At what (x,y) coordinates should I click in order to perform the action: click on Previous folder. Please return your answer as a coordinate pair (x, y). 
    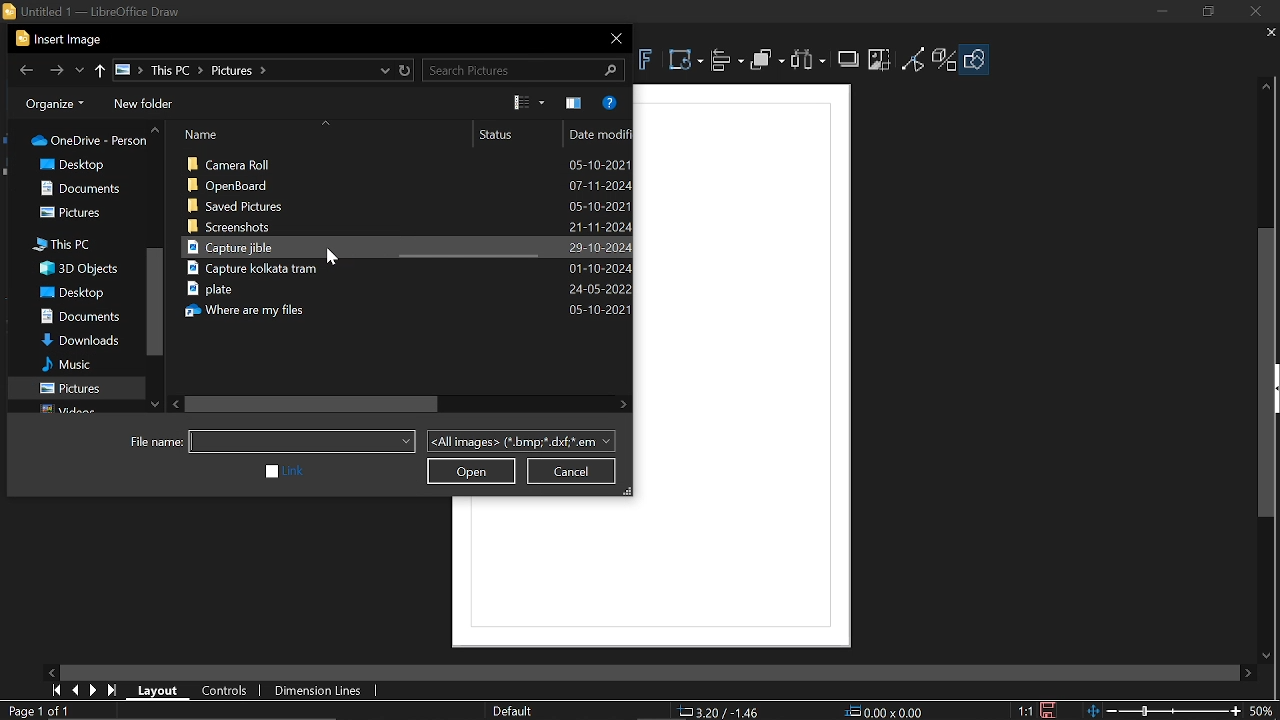
    Looking at the image, I should click on (101, 70).